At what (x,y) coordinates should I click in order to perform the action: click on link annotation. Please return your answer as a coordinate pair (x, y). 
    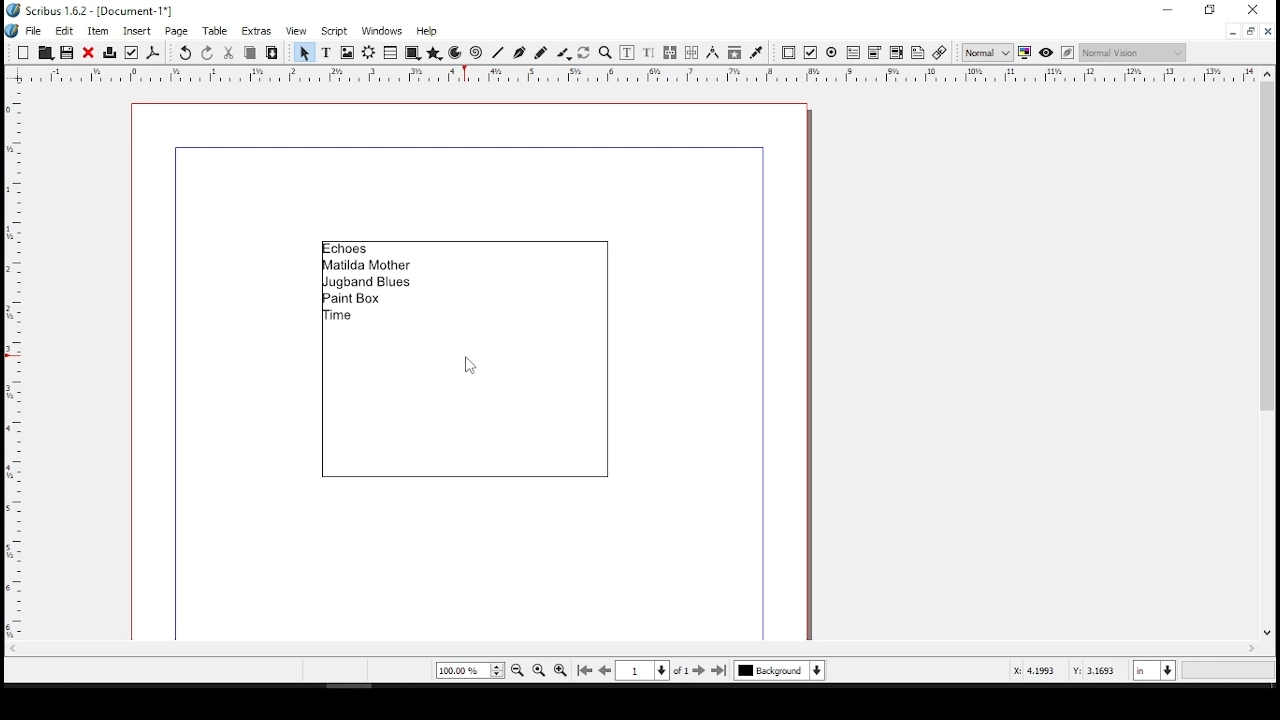
    Looking at the image, I should click on (940, 53).